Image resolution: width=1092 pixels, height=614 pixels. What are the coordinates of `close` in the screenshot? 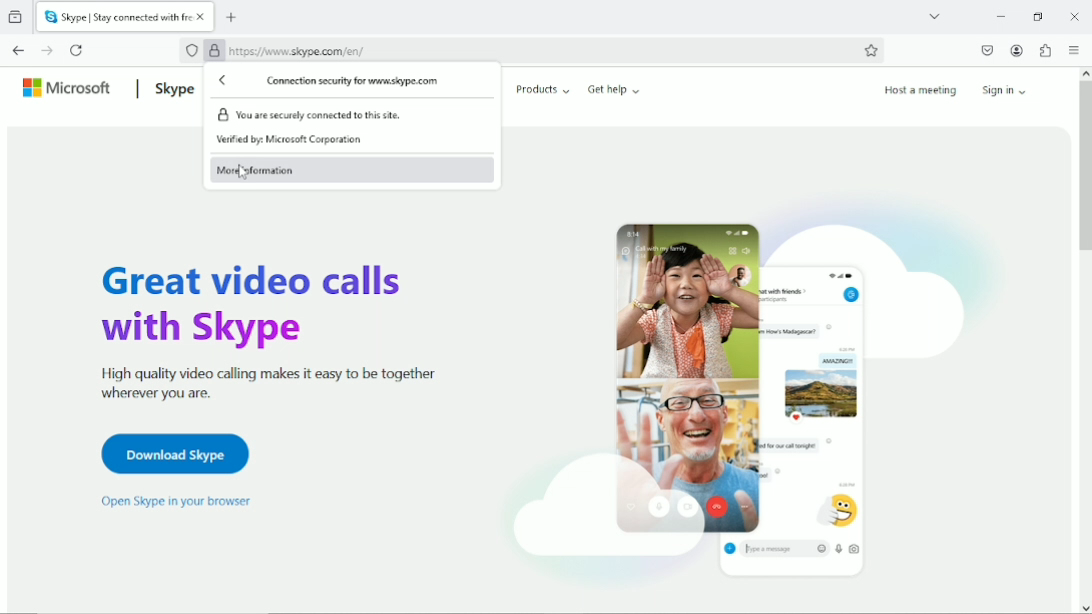 It's located at (203, 16).